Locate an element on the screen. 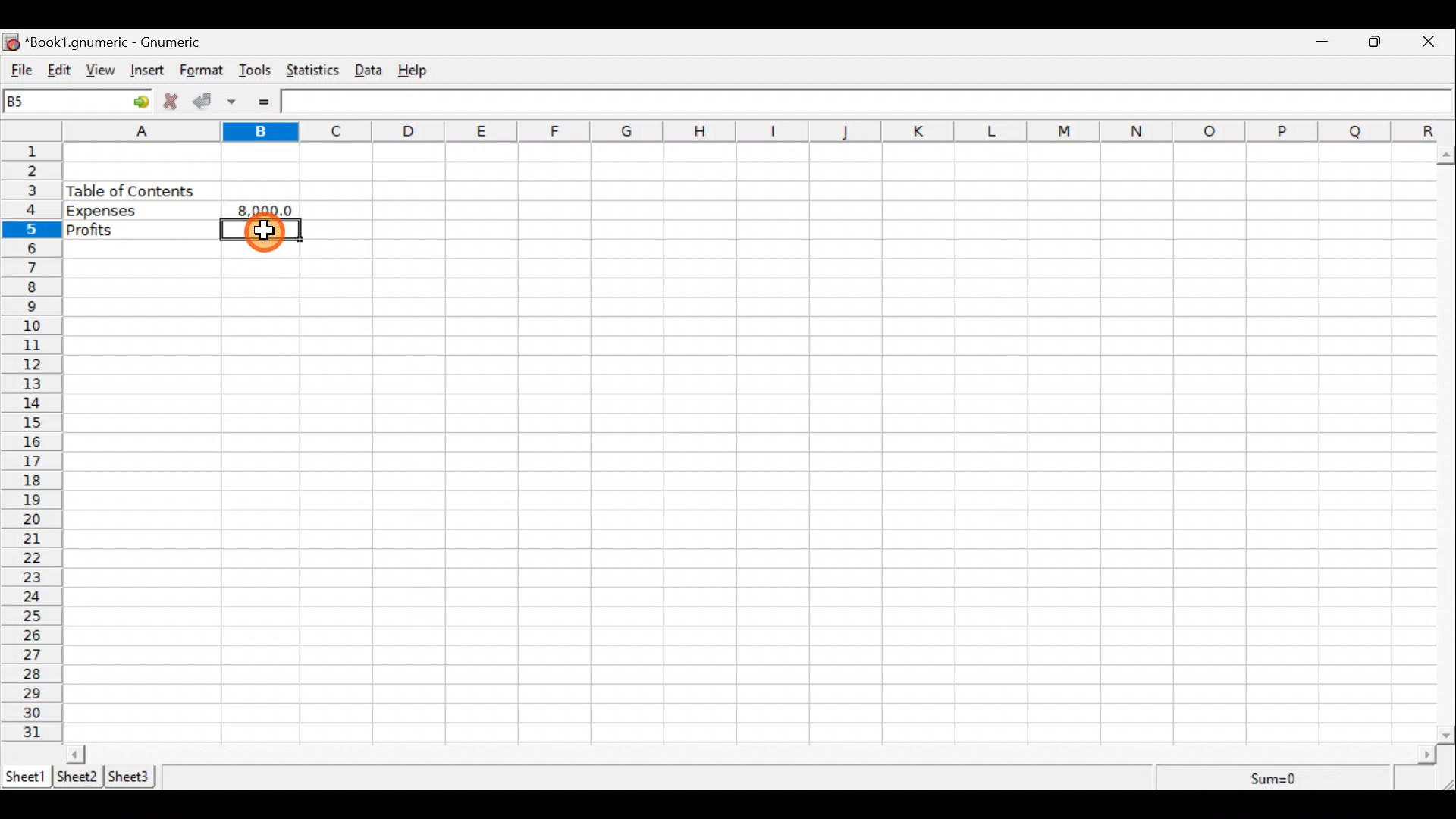 The height and width of the screenshot is (819, 1456). Close is located at coordinates (1435, 42).